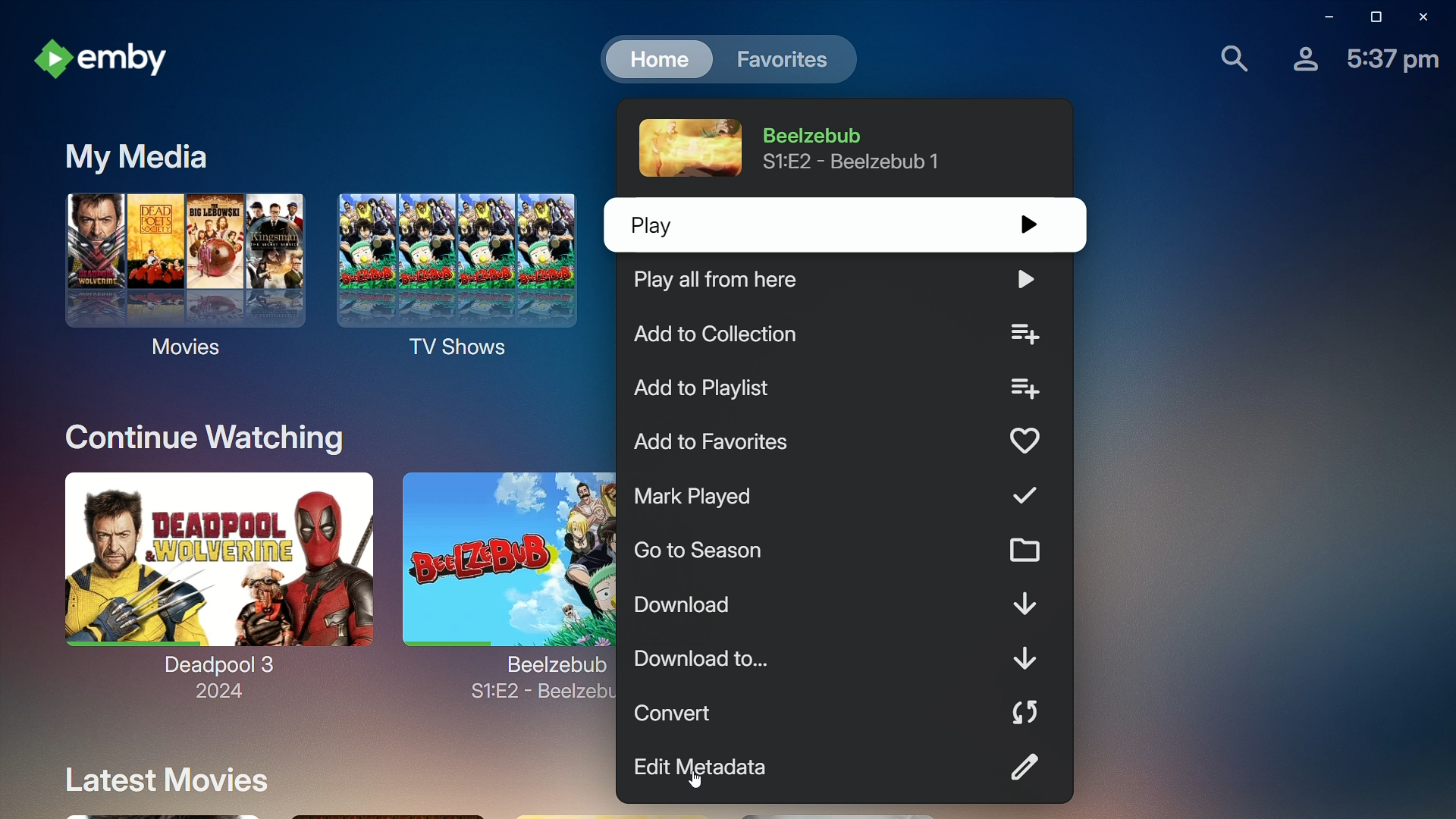 This screenshot has width=1456, height=819. Describe the element at coordinates (196, 432) in the screenshot. I see `Continue Watching` at that location.